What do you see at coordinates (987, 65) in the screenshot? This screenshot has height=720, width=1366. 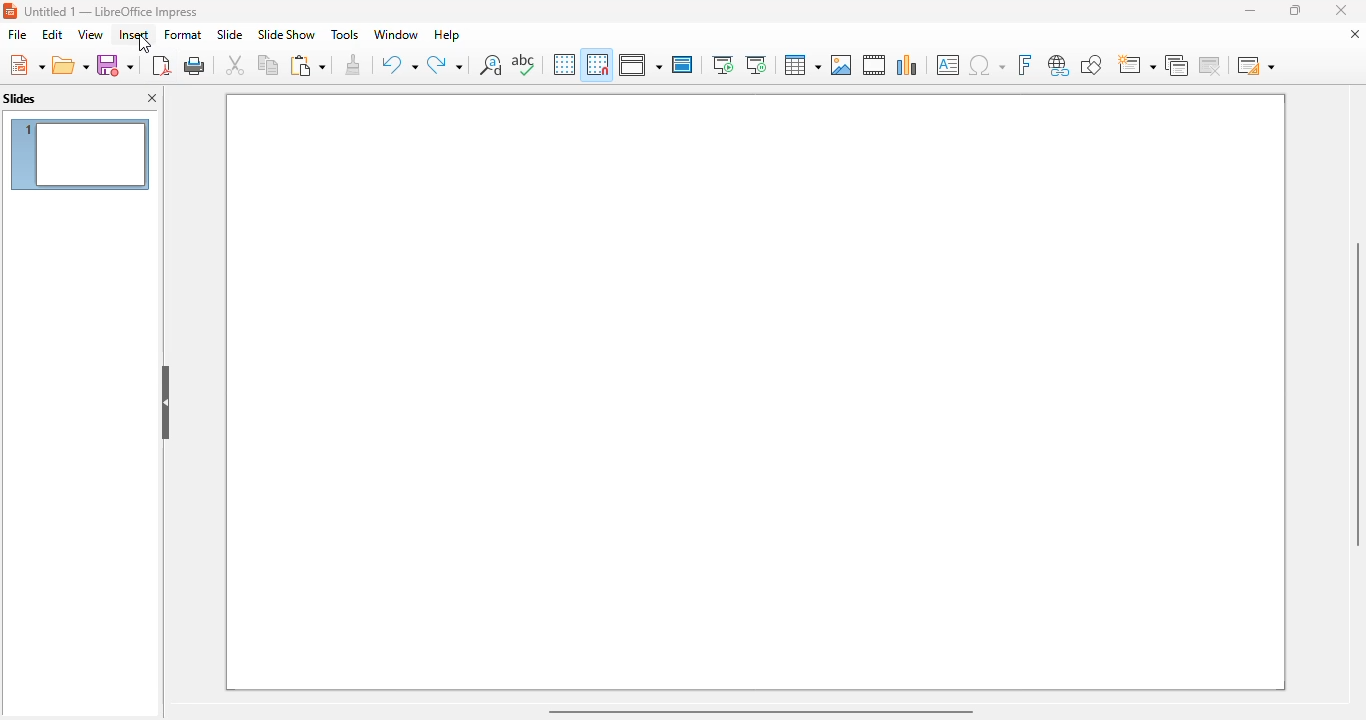 I see `insert special characters` at bounding box center [987, 65].